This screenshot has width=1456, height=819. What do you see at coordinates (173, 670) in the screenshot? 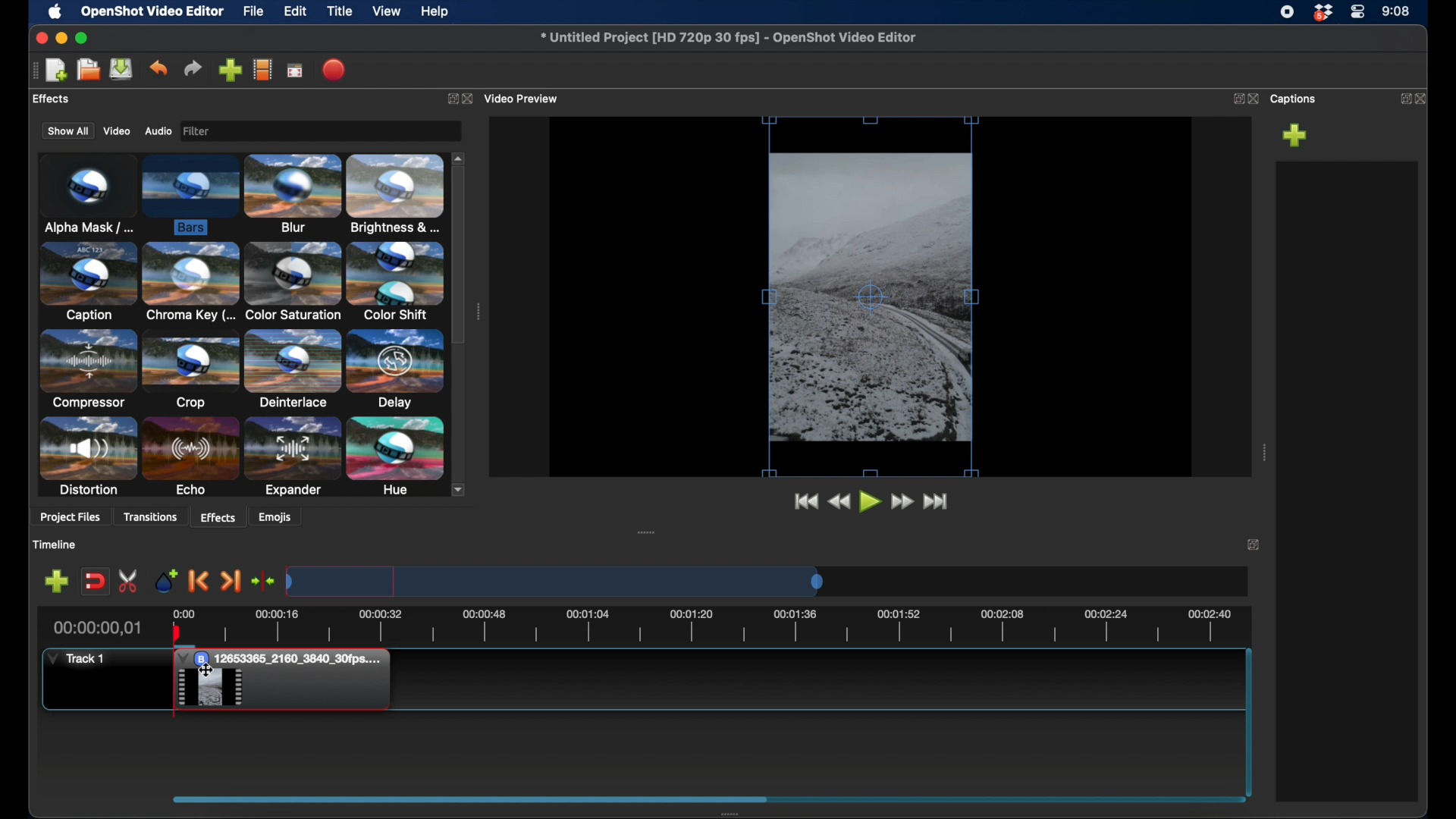
I see `bar` at bounding box center [173, 670].